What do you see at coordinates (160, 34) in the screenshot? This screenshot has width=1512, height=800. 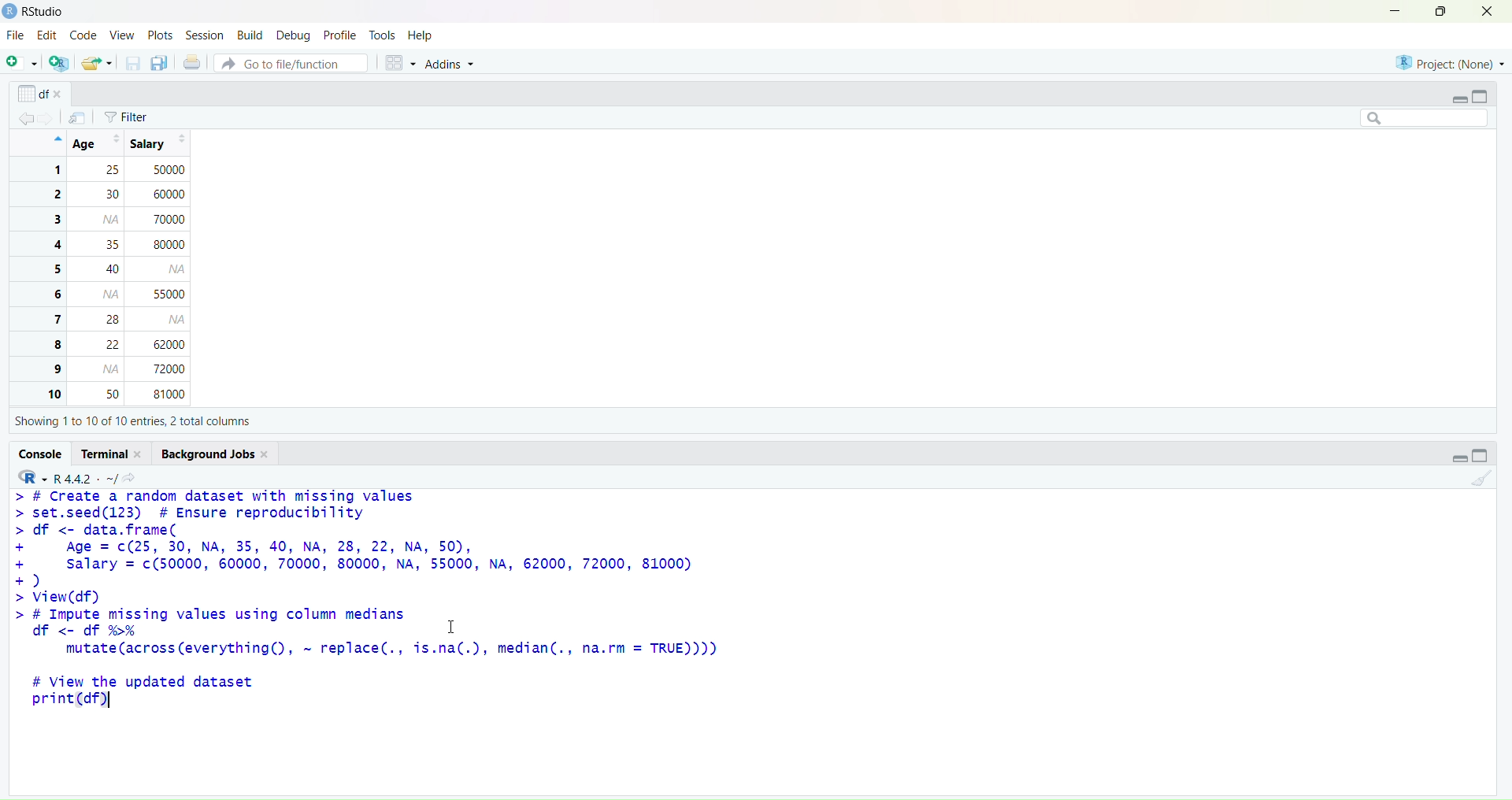 I see `plots` at bounding box center [160, 34].